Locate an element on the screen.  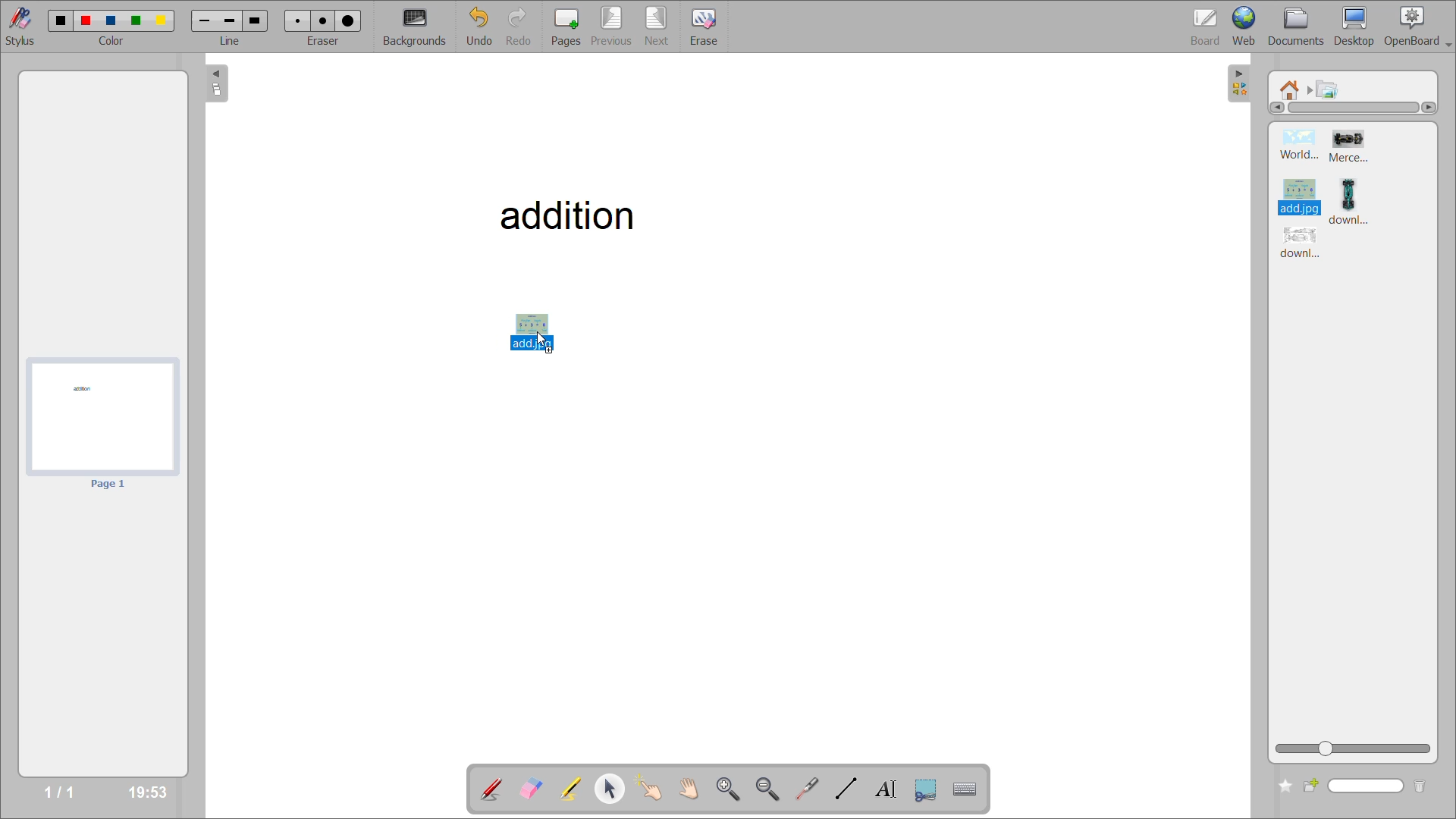
color 4 is located at coordinates (134, 22).